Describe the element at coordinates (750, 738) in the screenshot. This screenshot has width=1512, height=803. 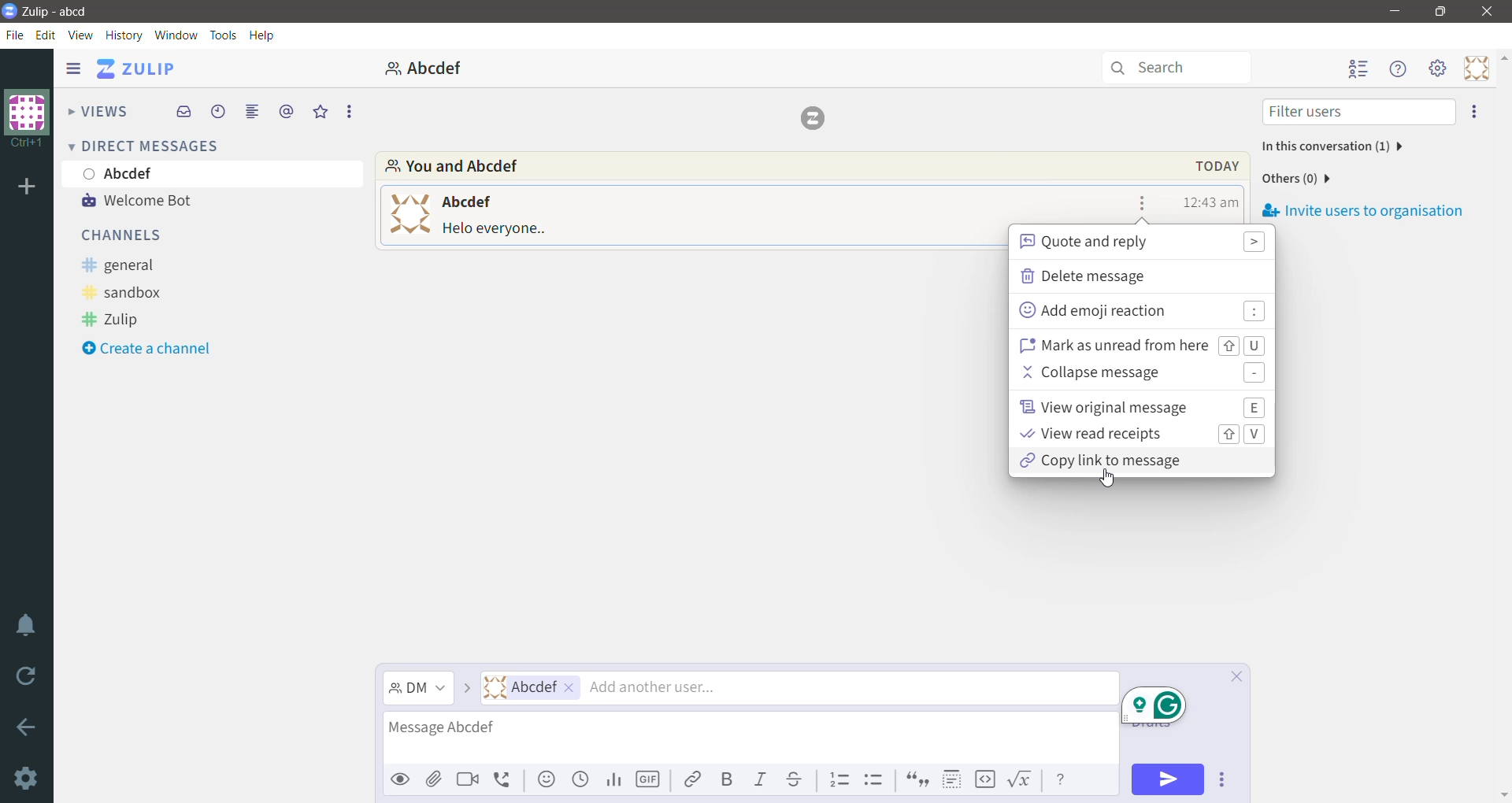
I see `Type the message for the selected recipients` at that location.